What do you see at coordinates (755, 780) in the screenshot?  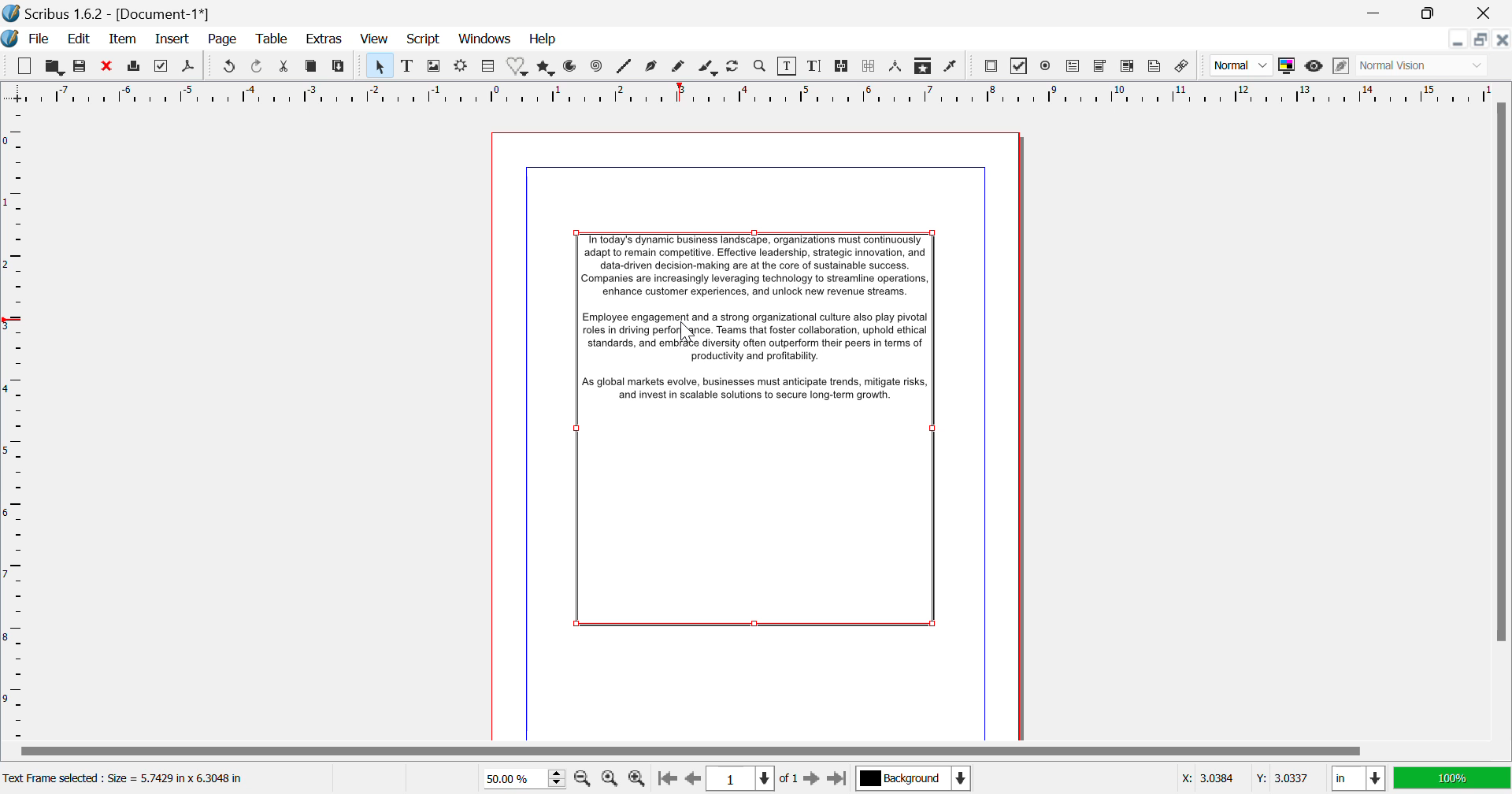 I see `Page 1 of 1` at bounding box center [755, 780].